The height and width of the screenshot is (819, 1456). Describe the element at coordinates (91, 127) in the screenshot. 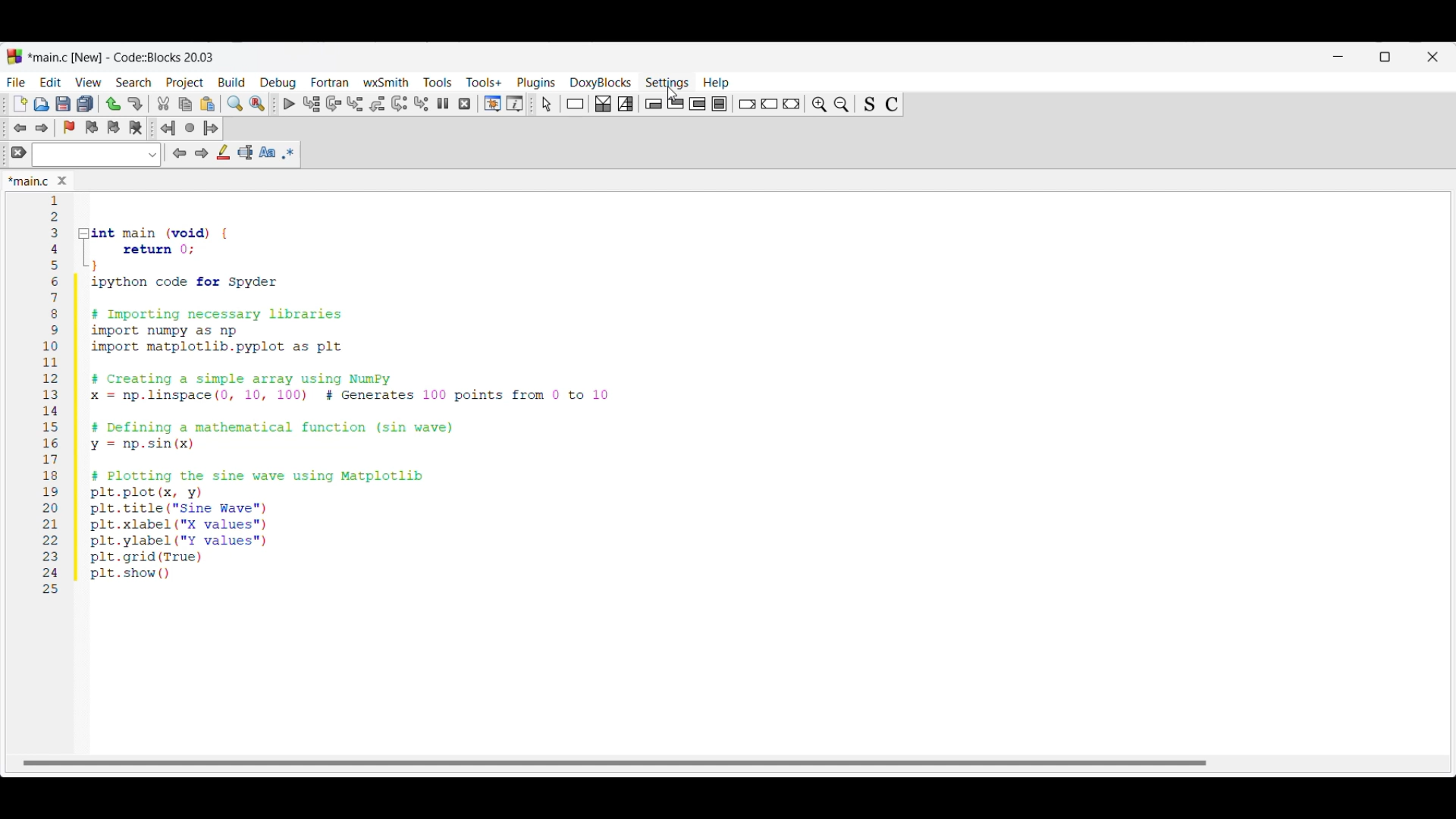

I see `Previous bookmark` at that location.